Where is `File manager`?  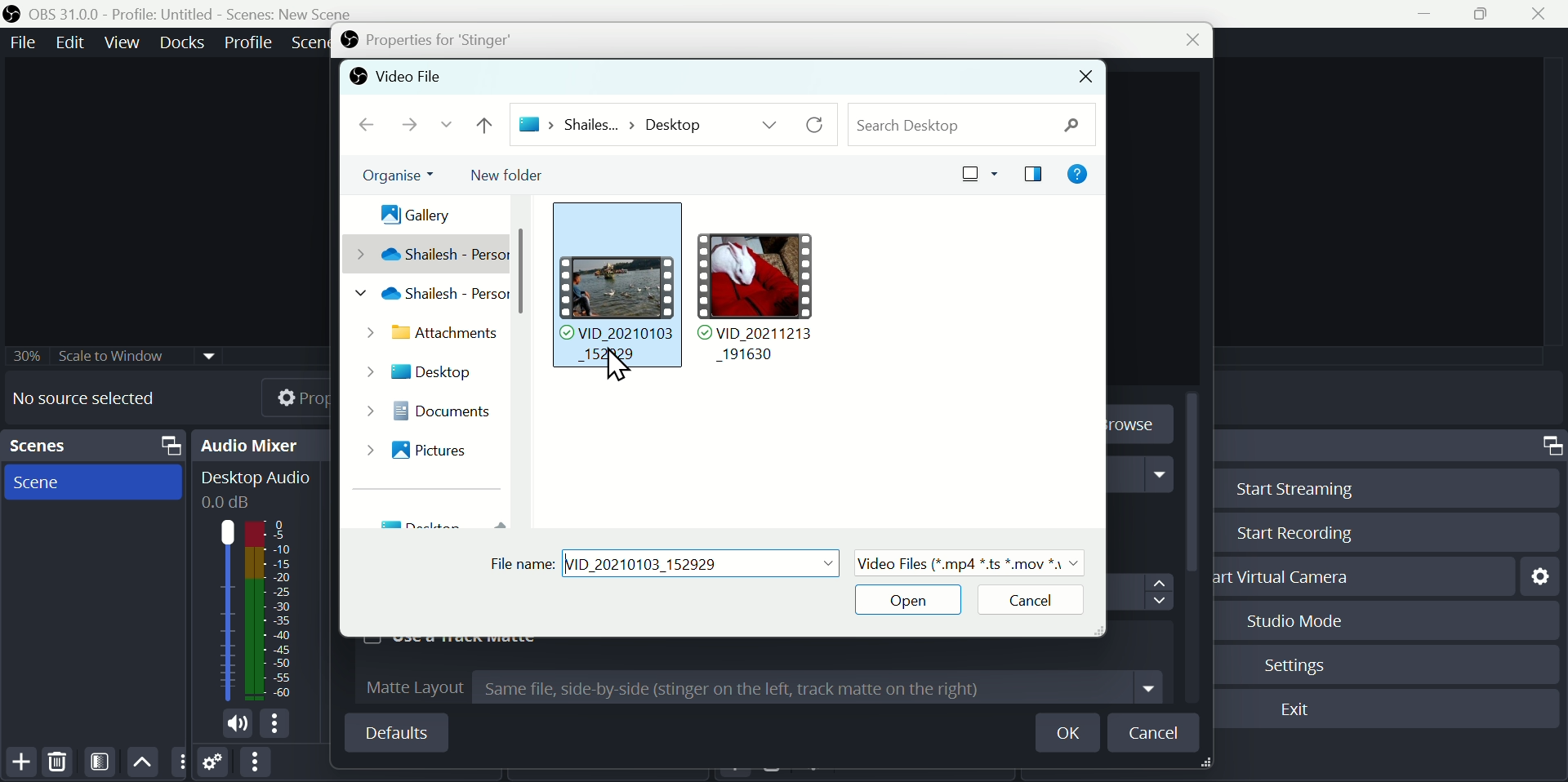 File manager is located at coordinates (715, 314).